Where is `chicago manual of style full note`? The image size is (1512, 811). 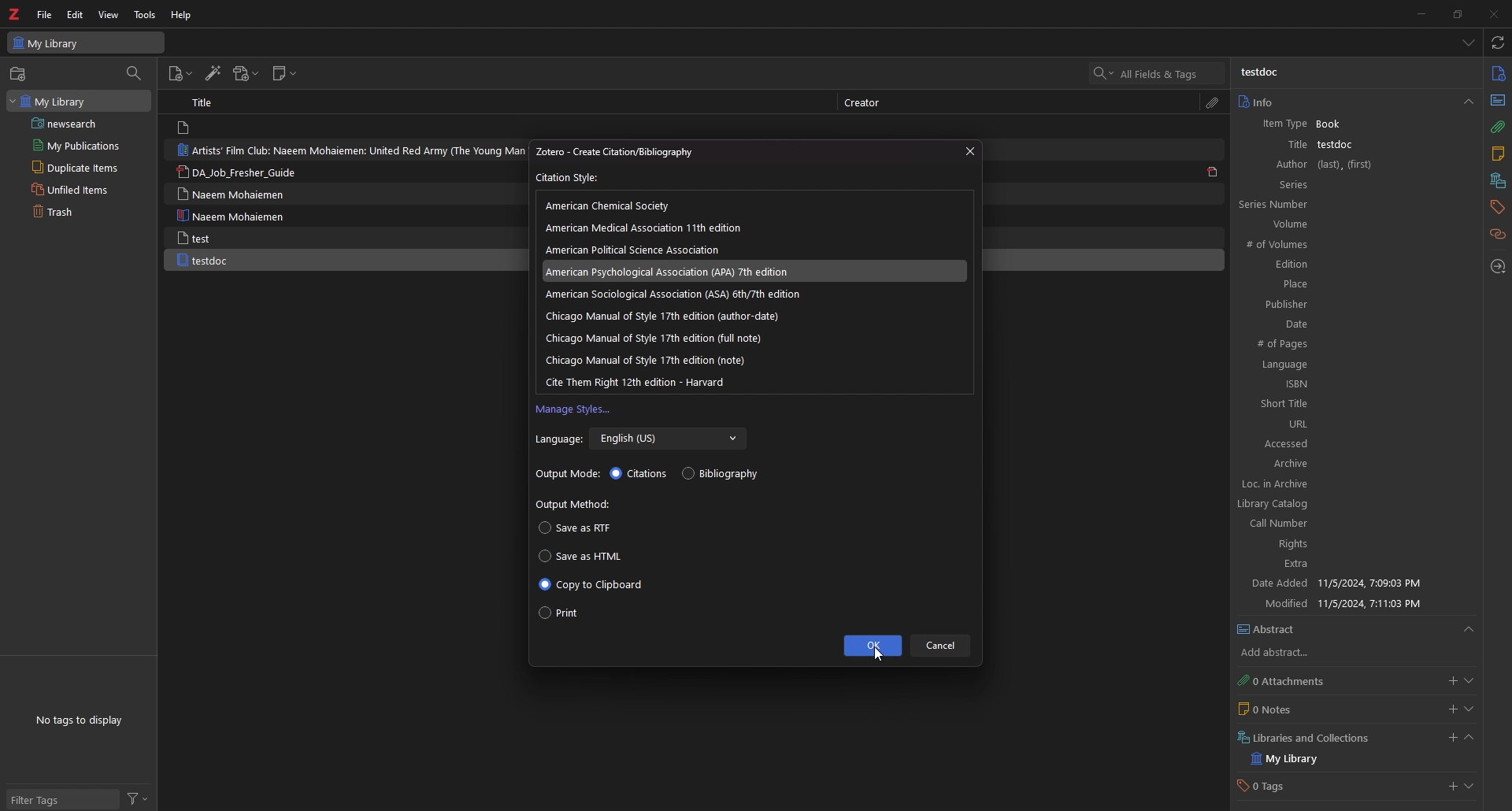 chicago manual of style full note is located at coordinates (663, 337).